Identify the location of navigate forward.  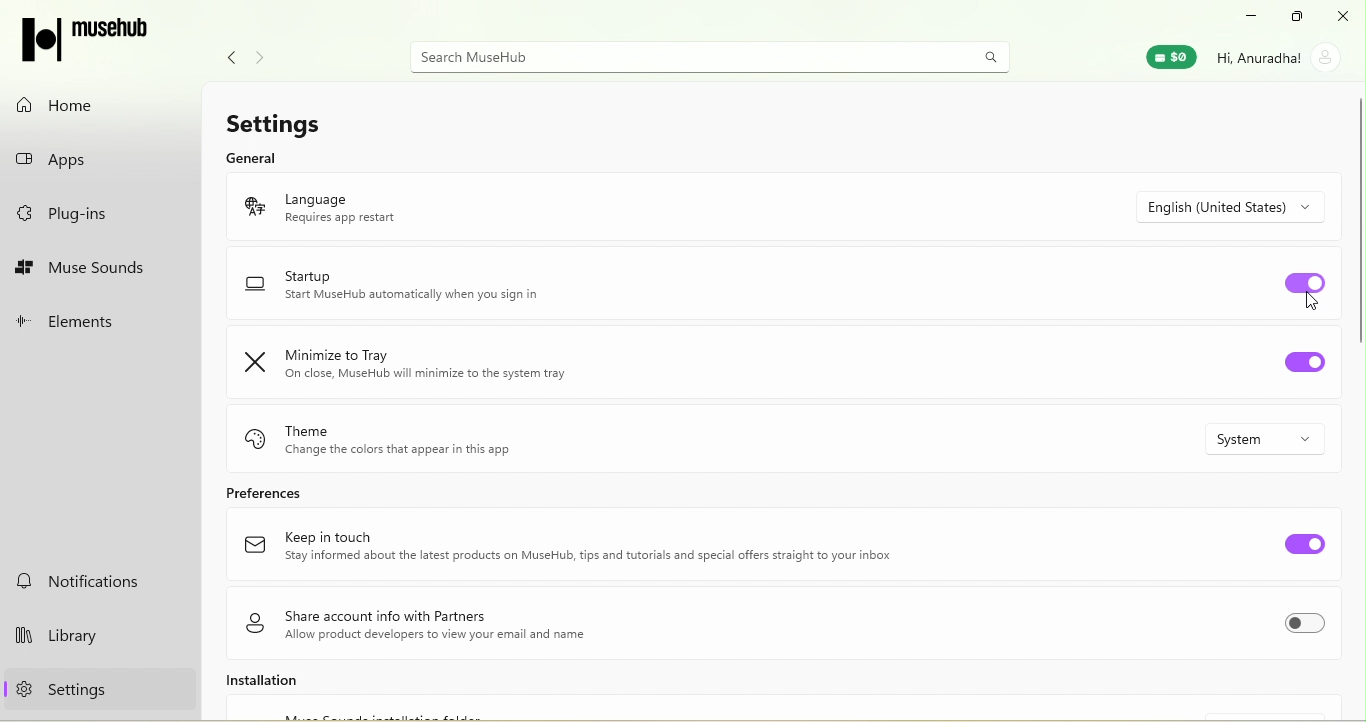
(266, 51).